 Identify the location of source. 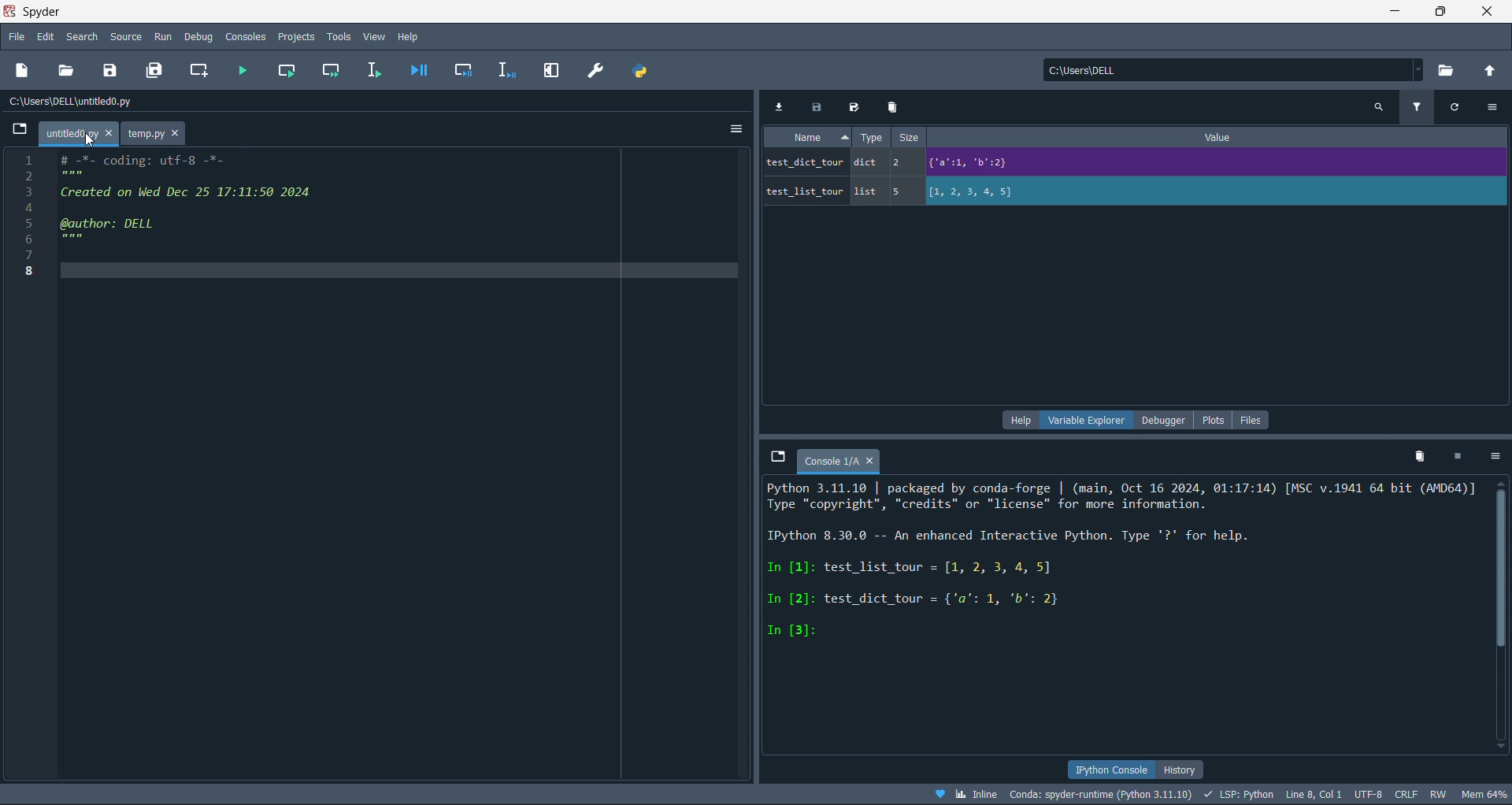
(125, 36).